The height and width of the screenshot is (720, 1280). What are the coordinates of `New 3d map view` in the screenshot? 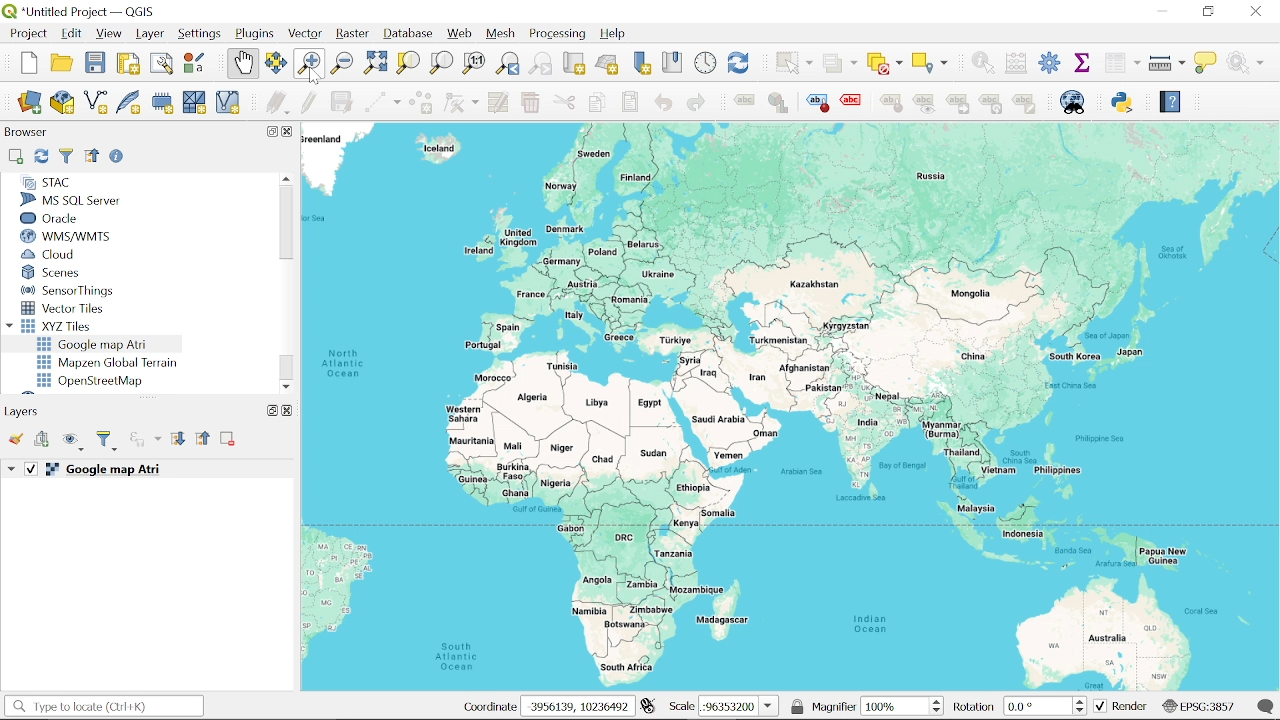 It's located at (607, 65).